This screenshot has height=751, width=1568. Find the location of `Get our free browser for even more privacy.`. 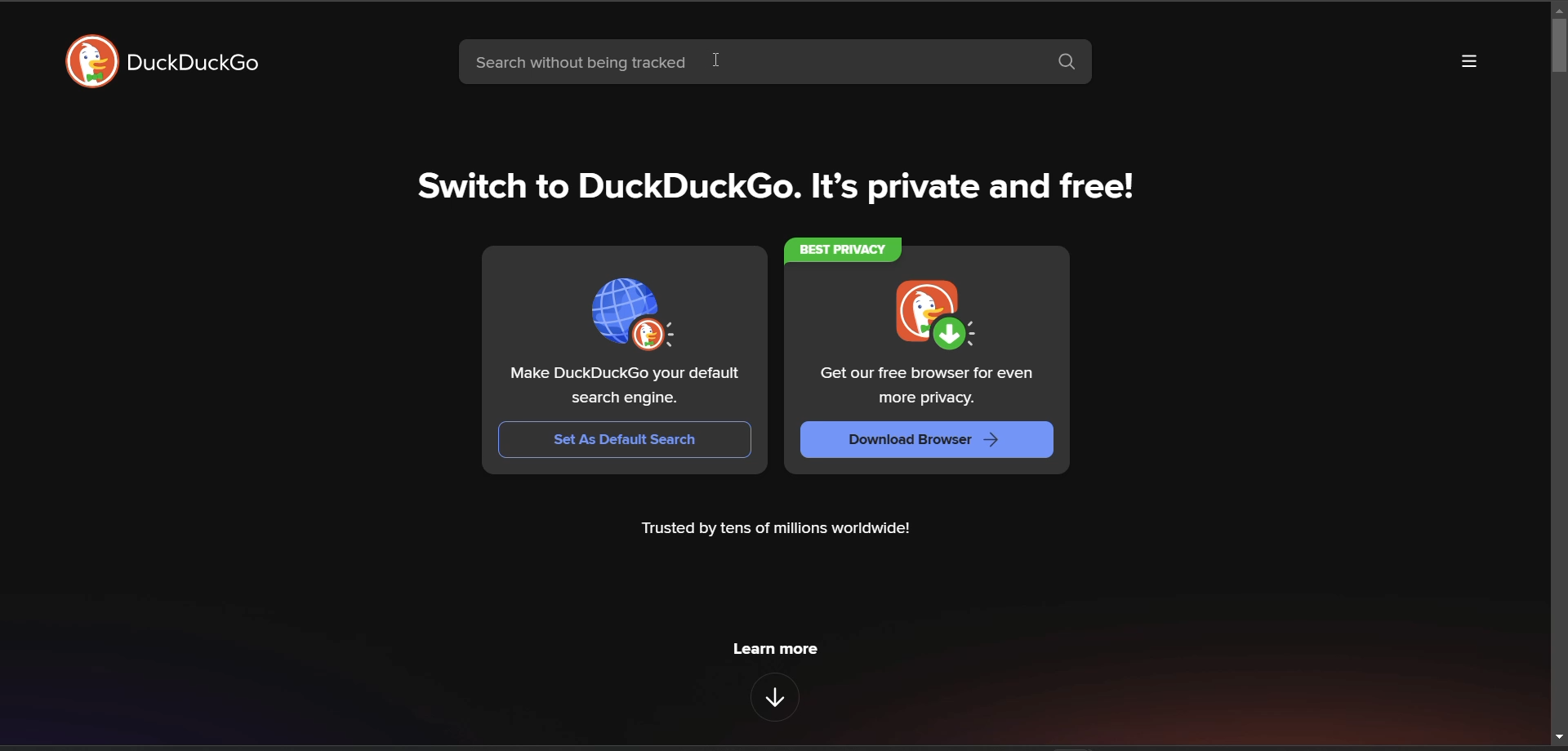

Get our free browser for even more privacy. is located at coordinates (929, 386).